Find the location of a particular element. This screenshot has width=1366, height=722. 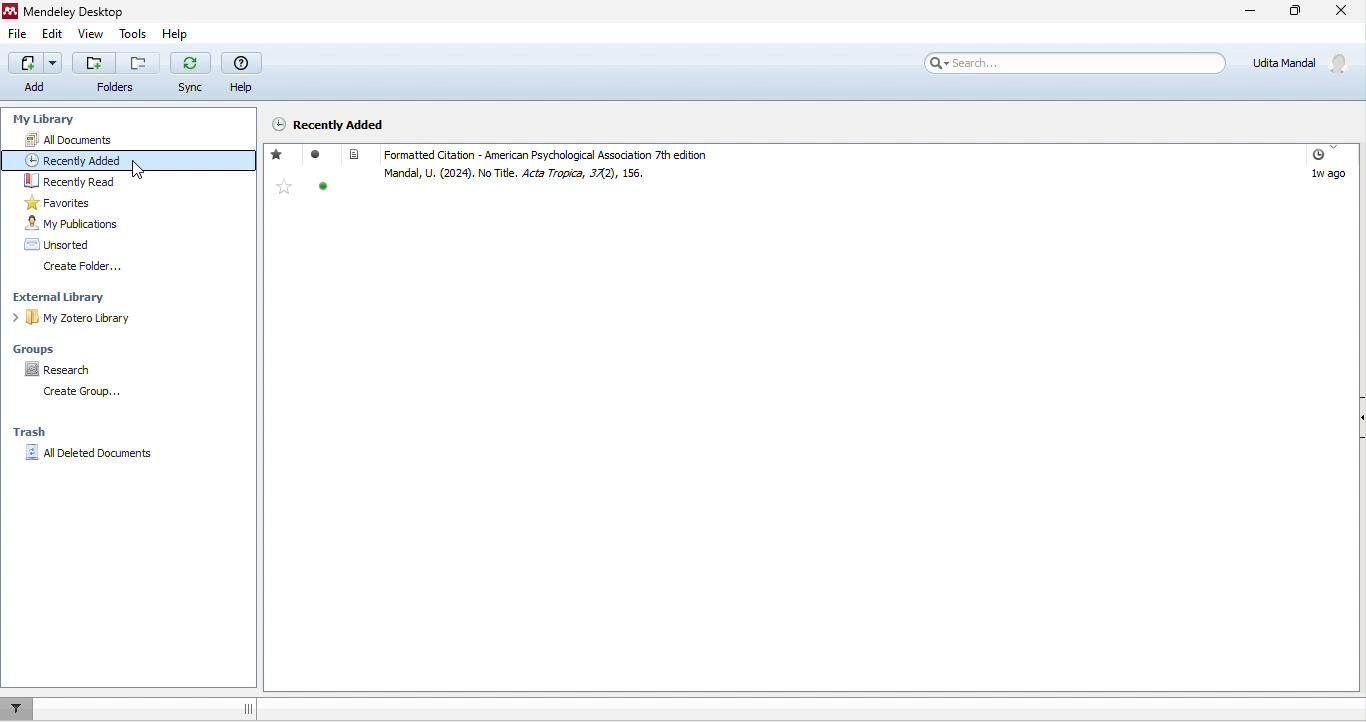

sync is located at coordinates (190, 72).